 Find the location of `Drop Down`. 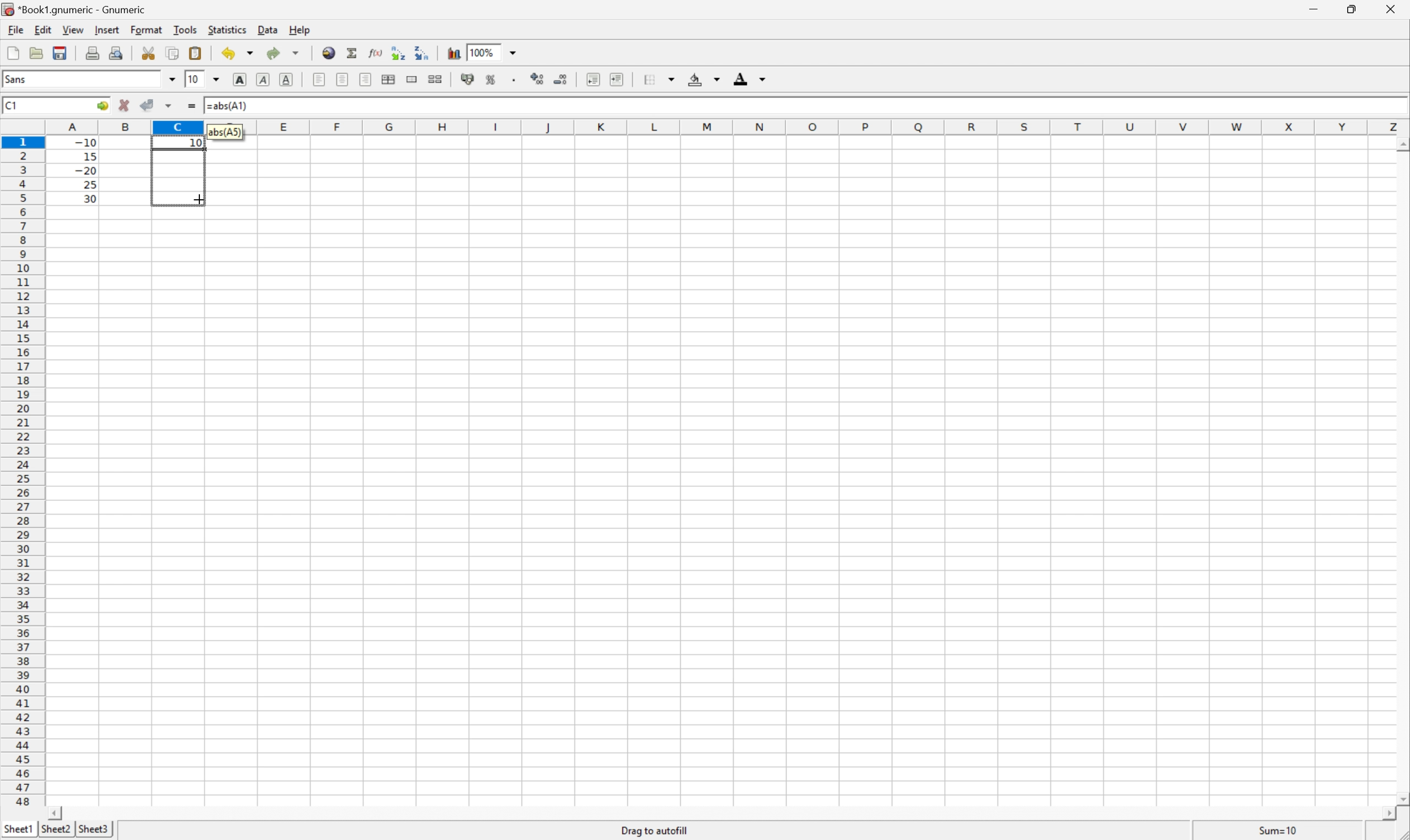

Drop Down is located at coordinates (516, 52).